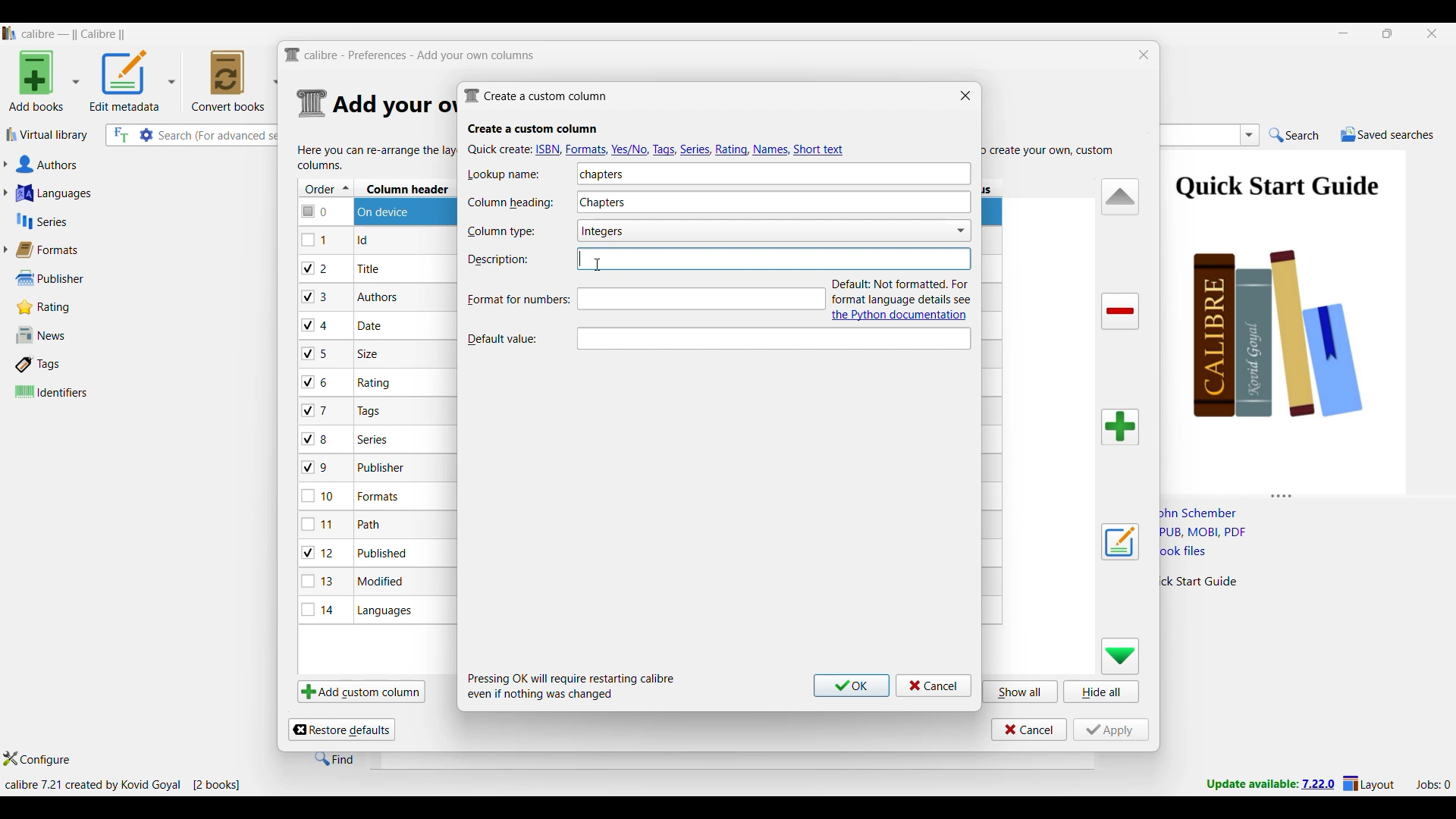 This screenshot has width=1456, height=819. I want to click on Cancel, so click(1029, 730).